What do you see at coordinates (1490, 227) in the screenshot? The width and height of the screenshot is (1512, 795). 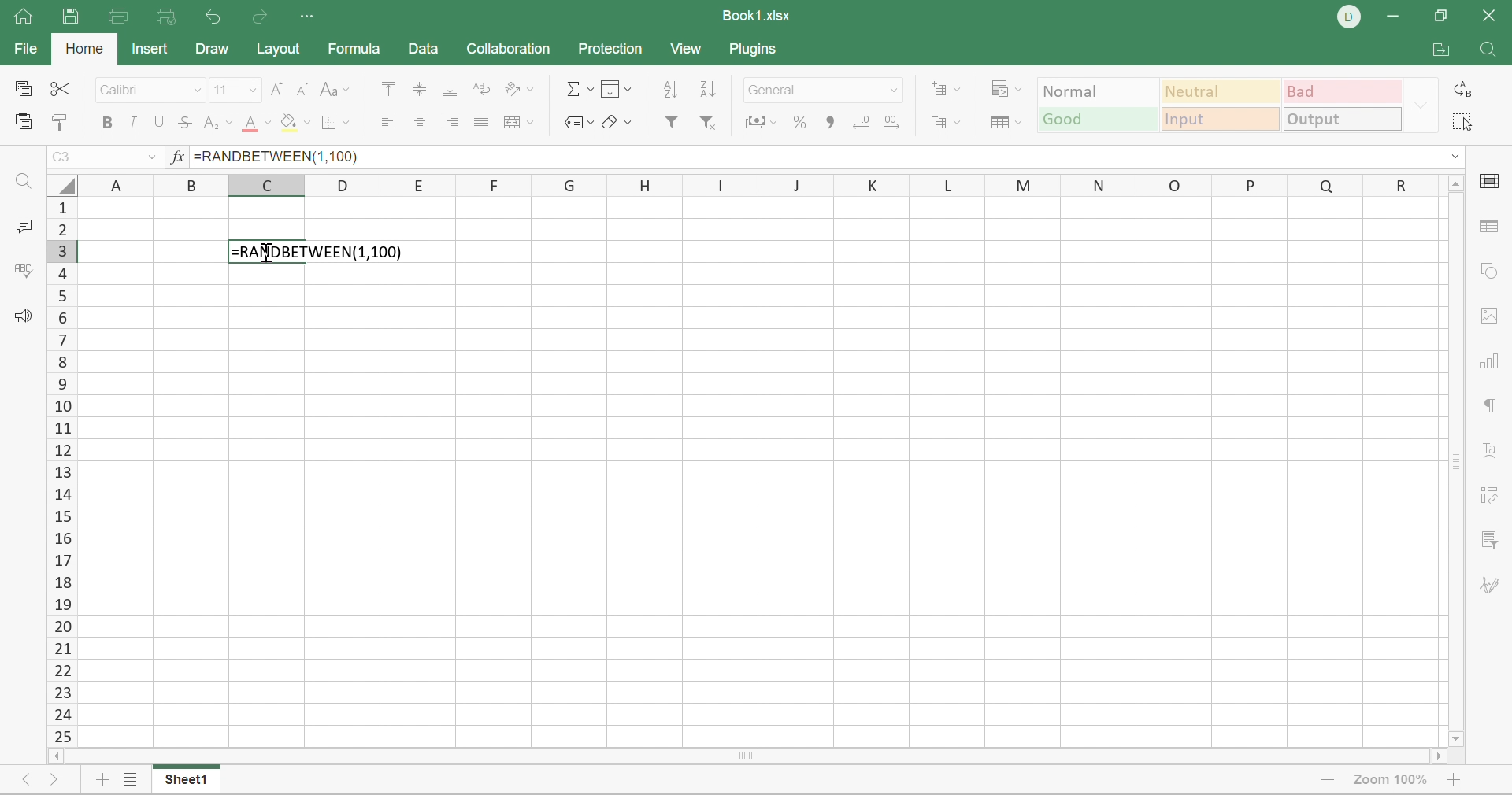 I see `table settings` at bounding box center [1490, 227].